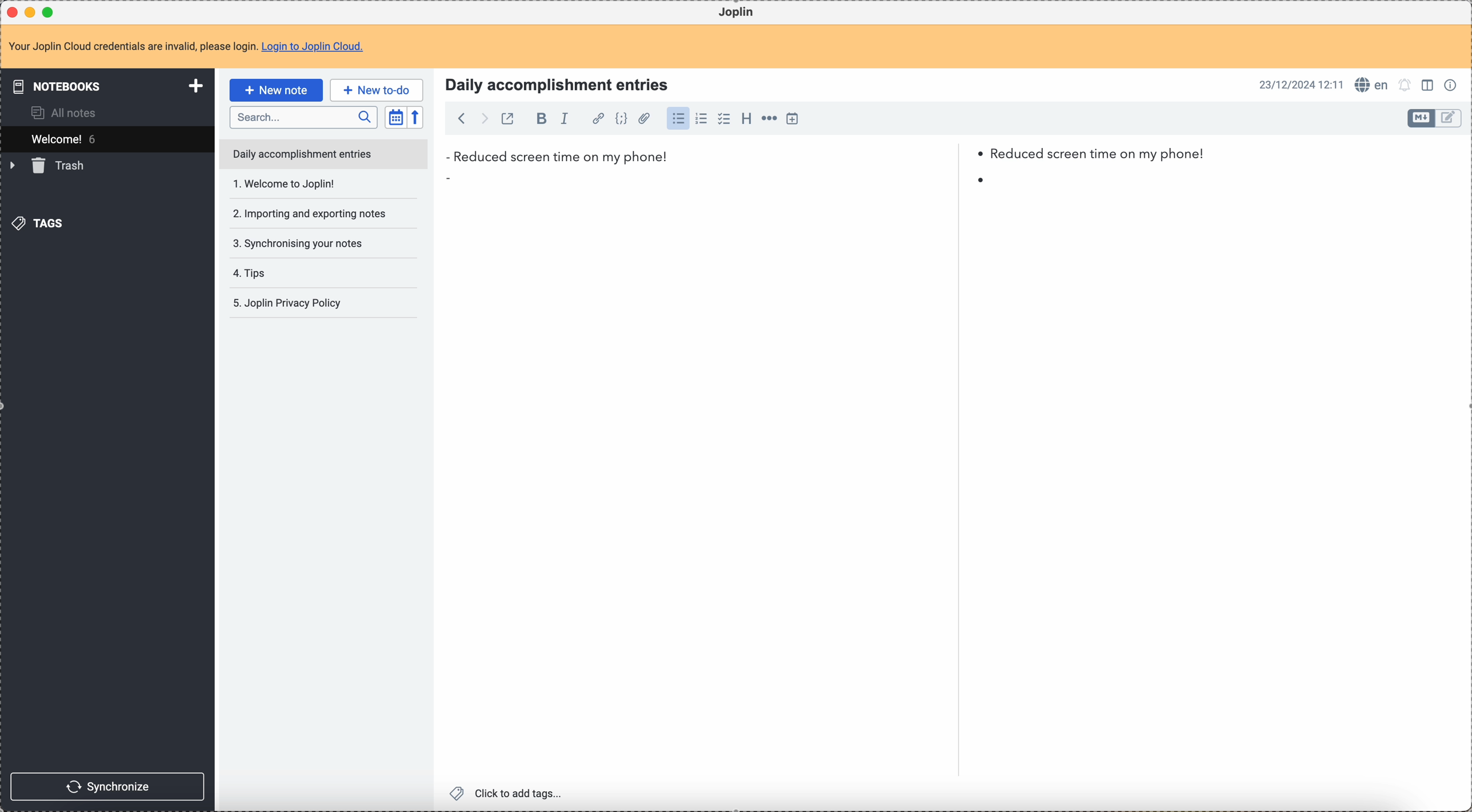  What do you see at coordinates (107, 785) in the screenshot?
I see `synchronize` at bounding box center [107, 785].